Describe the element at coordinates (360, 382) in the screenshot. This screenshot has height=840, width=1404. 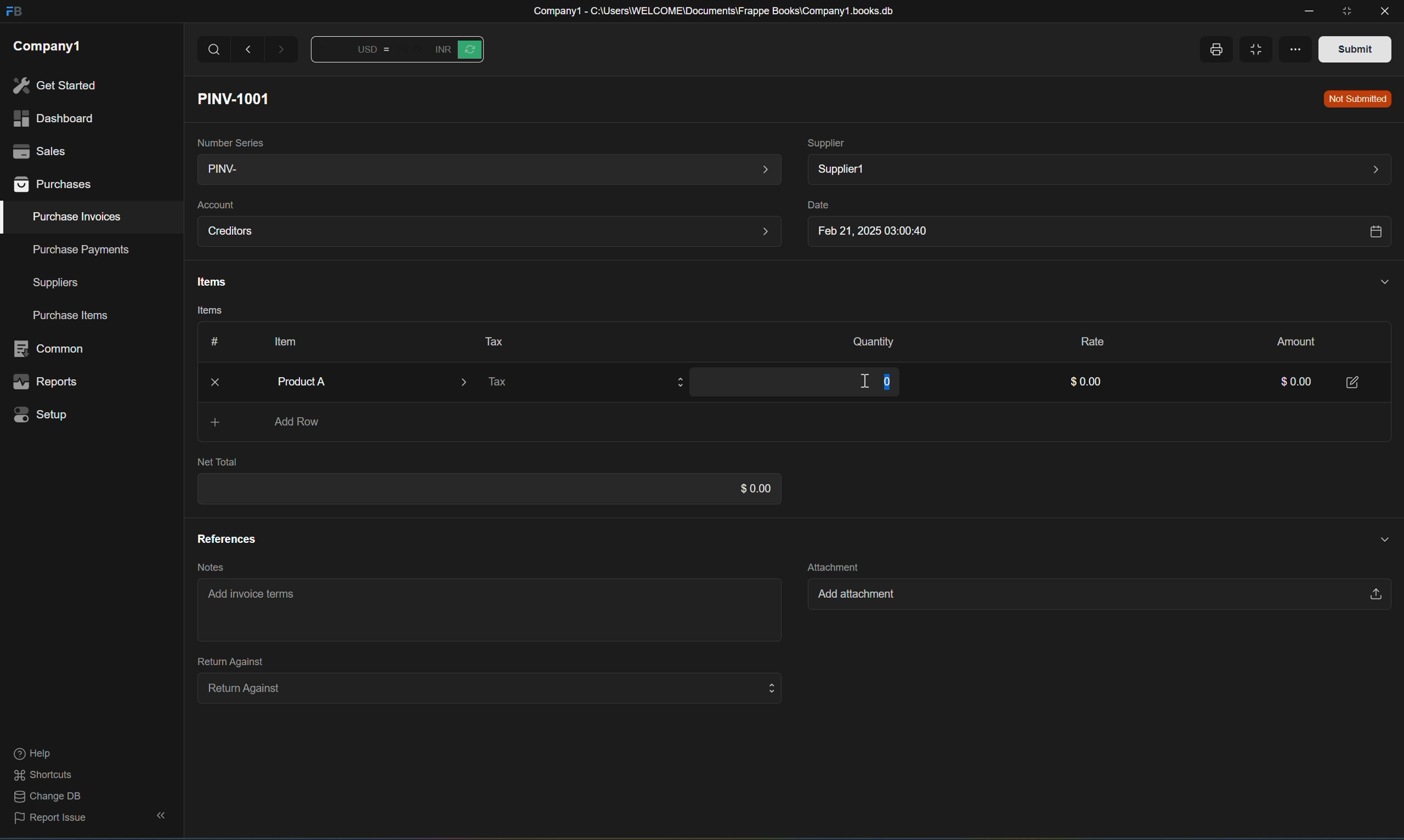
I see `Product A` at that location.